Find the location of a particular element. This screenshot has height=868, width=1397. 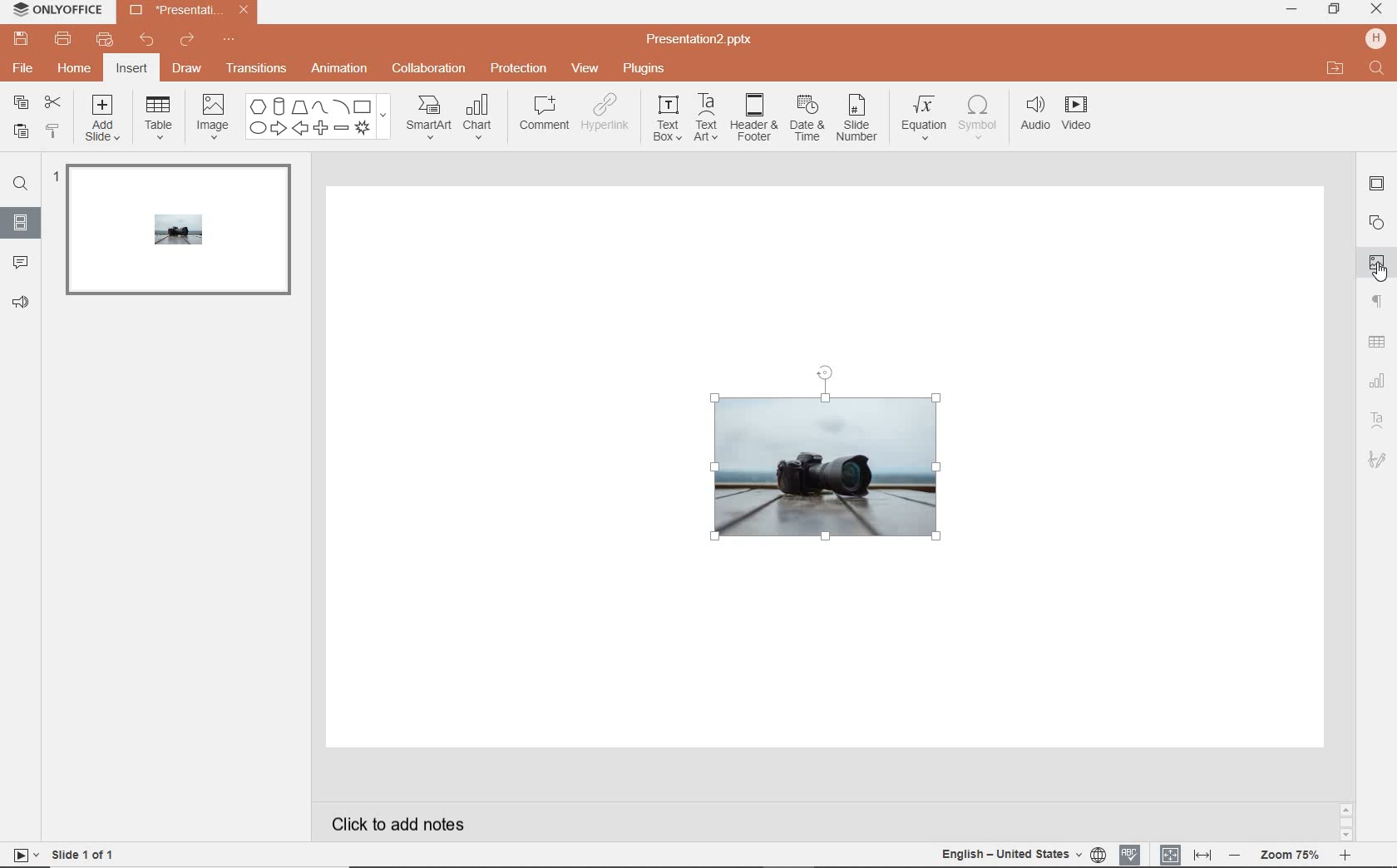

date & time is located at coordinates (809, 118).